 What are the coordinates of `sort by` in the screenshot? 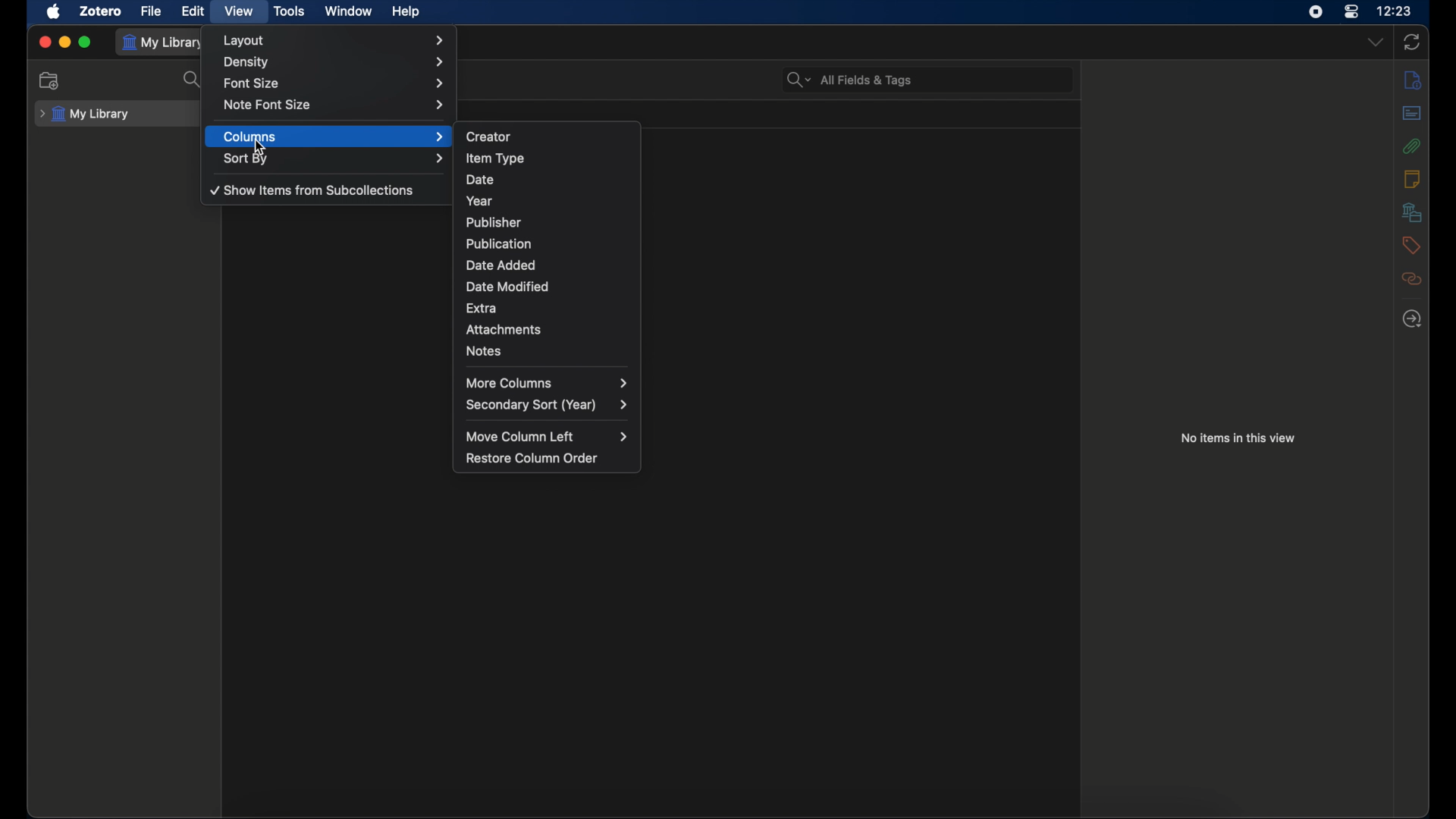 It's located at (333, 159).